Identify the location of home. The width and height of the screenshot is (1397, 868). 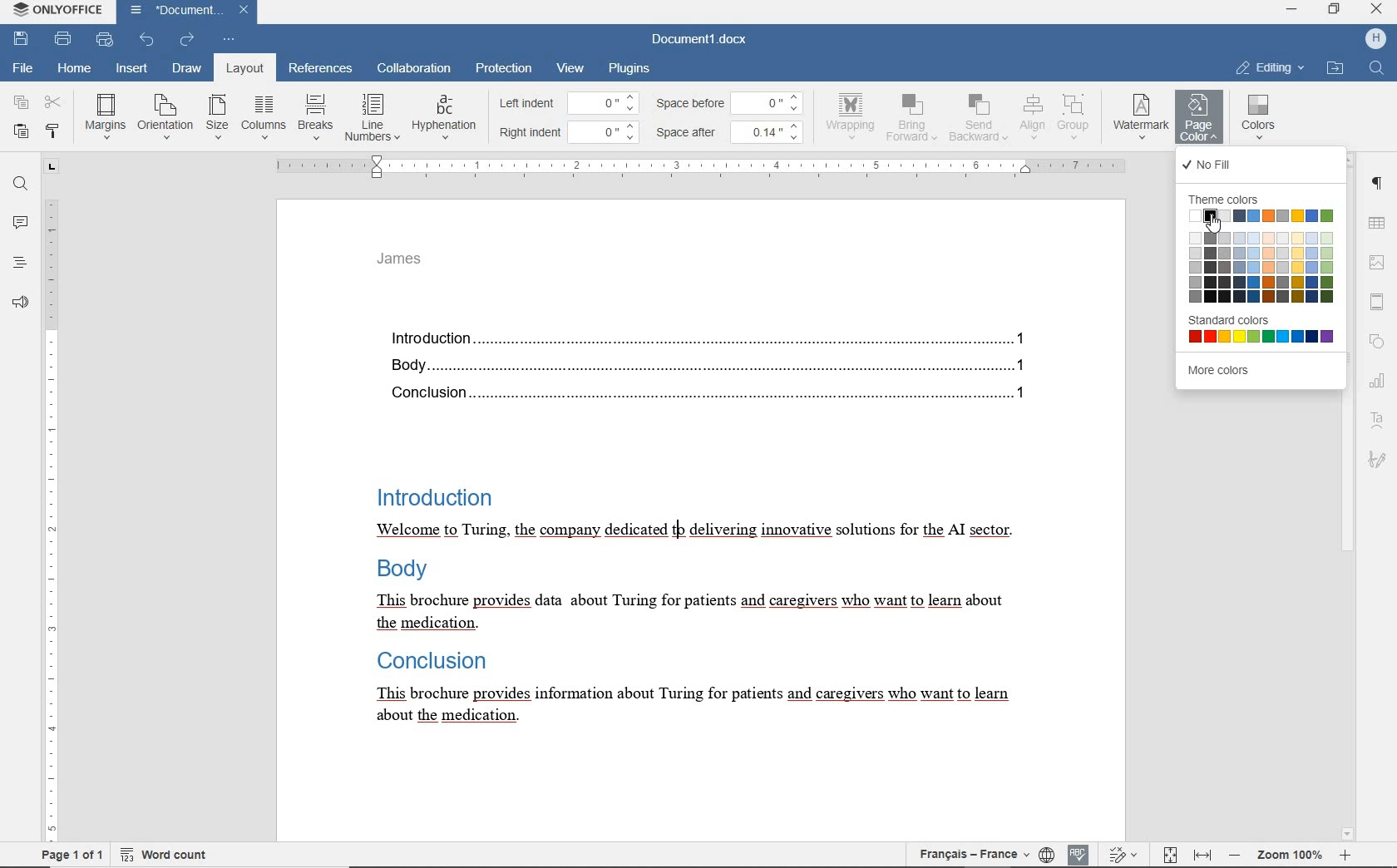
(73, 70).